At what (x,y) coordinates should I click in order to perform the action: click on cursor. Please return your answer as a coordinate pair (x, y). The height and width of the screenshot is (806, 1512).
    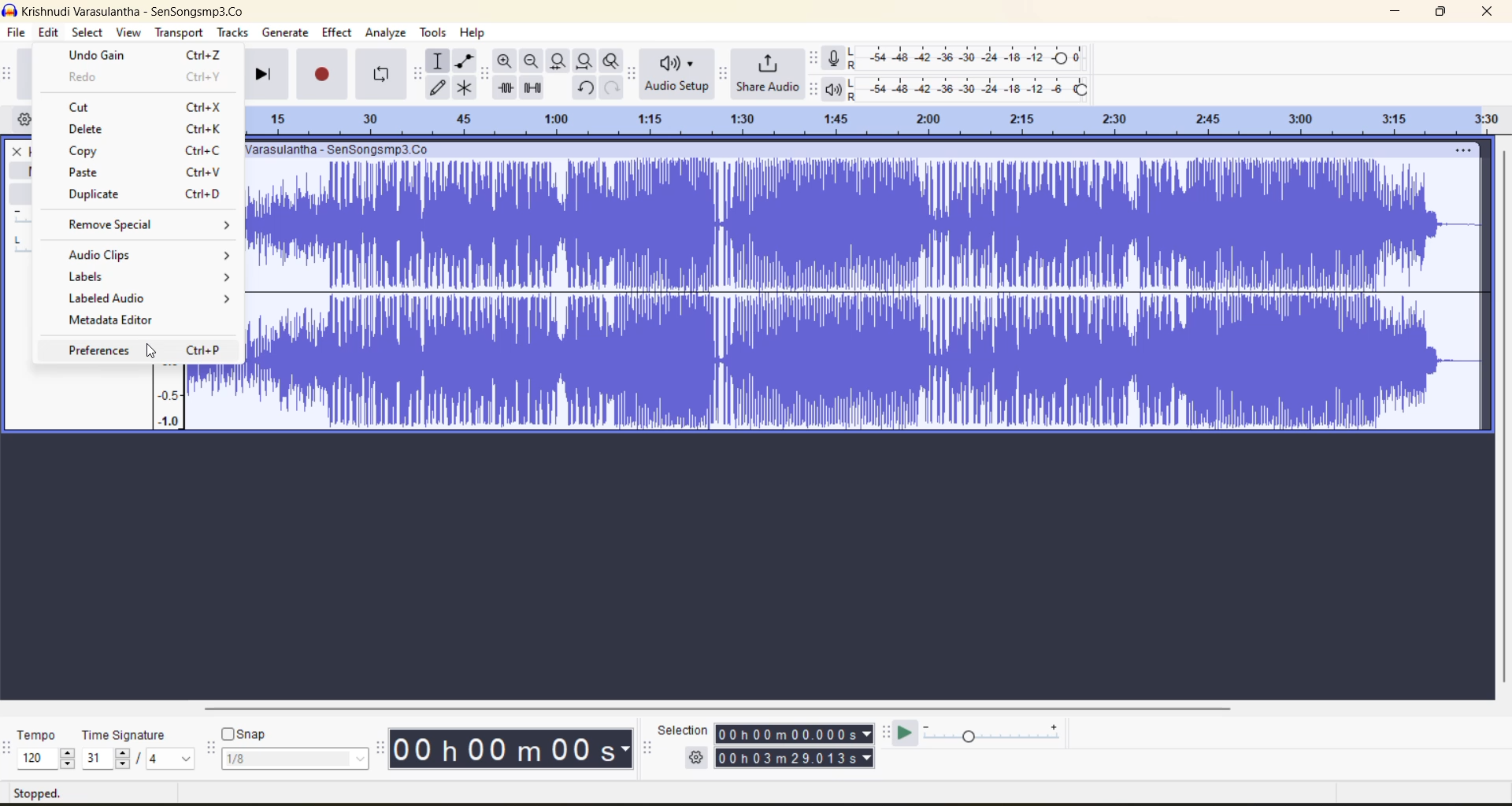
    Looking at the image, I should click on (145, 354).